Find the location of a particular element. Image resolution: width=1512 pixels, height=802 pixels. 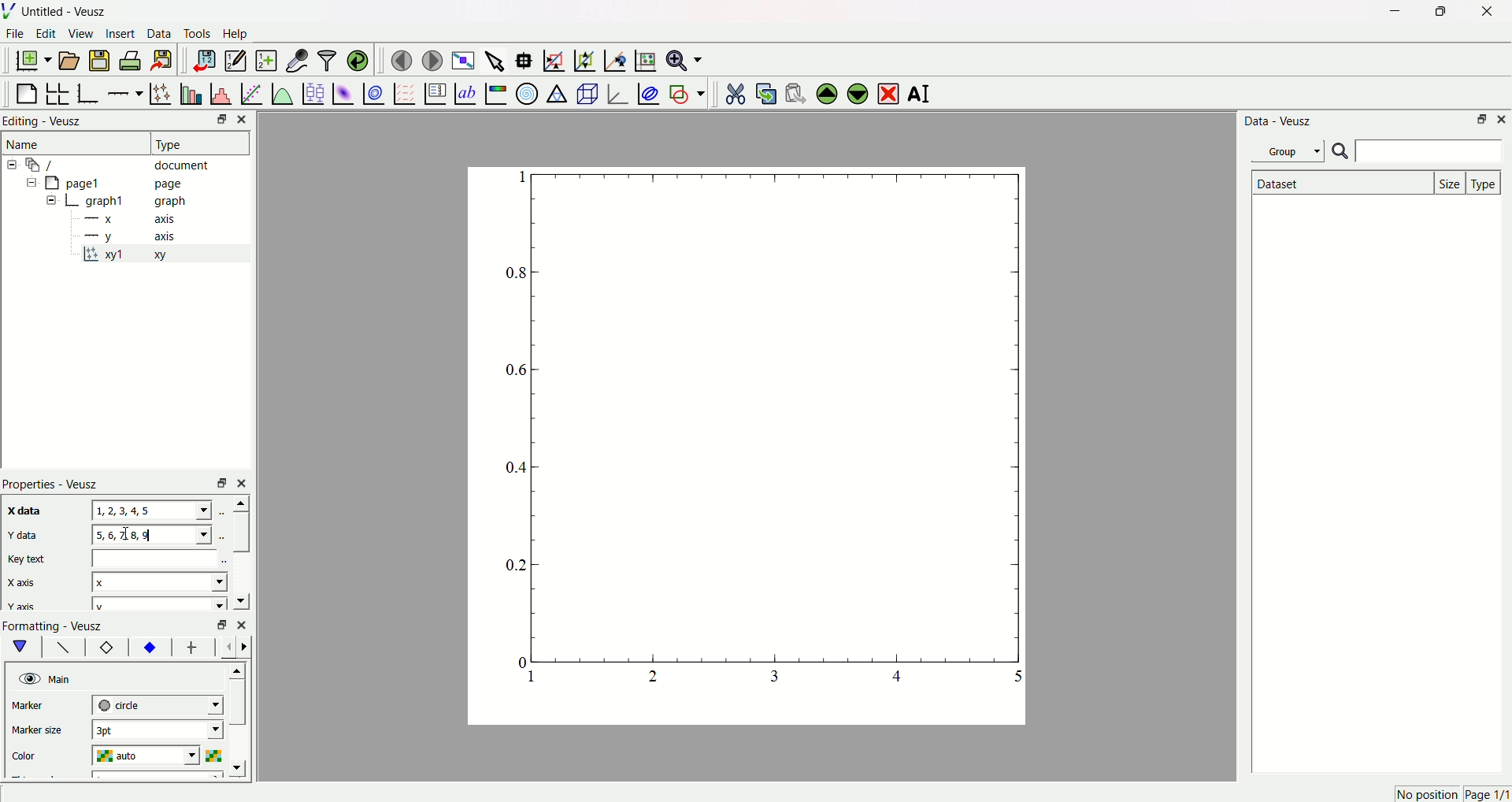

move  the widgets down is located at coordinates (855, 93).